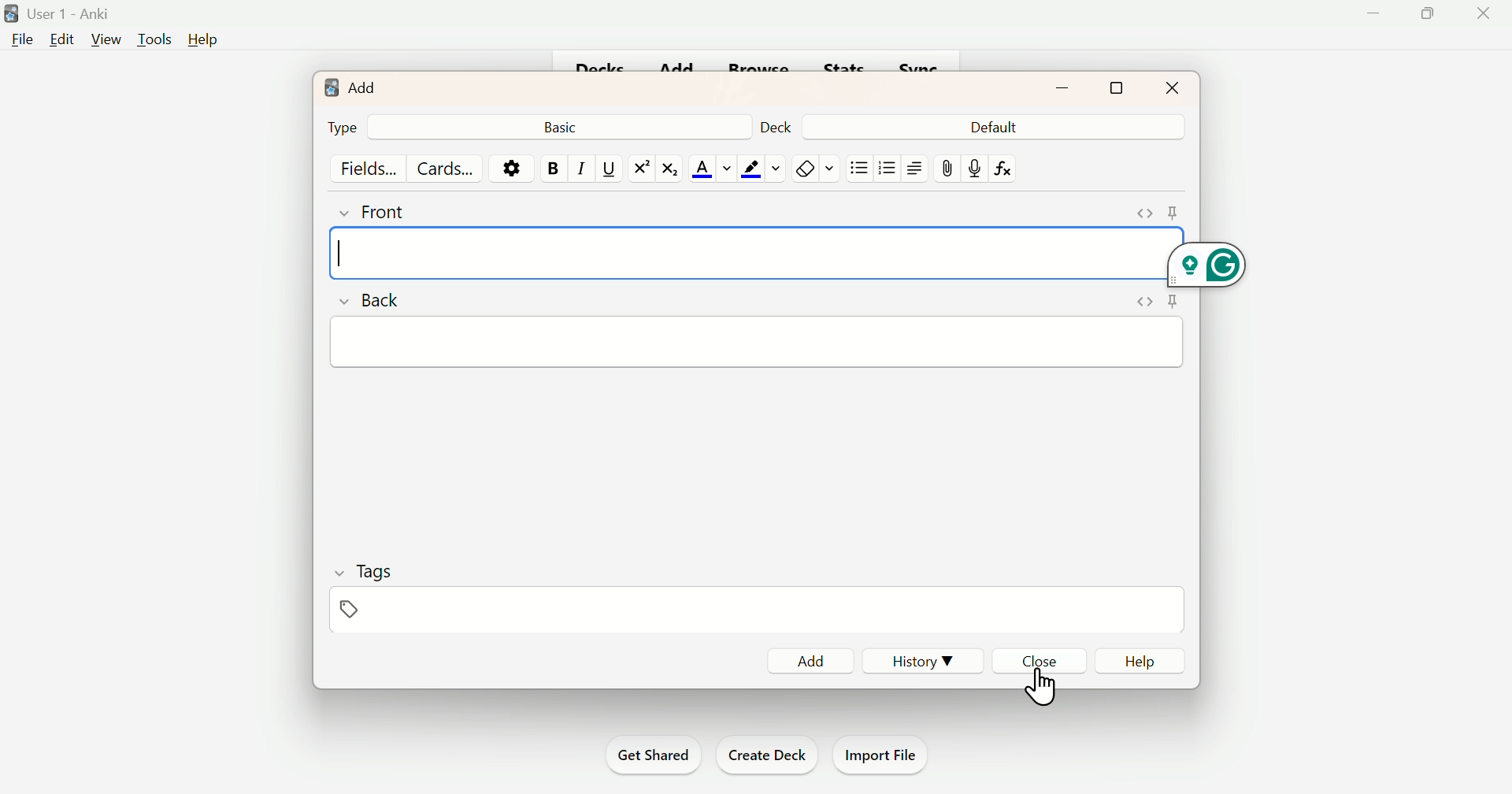 The height and width of the screenshot is (794, 1512). What do you see at coordinates (363, 254) in the screenshot?
I see `Text cursor` at bounding box center [363, 254].